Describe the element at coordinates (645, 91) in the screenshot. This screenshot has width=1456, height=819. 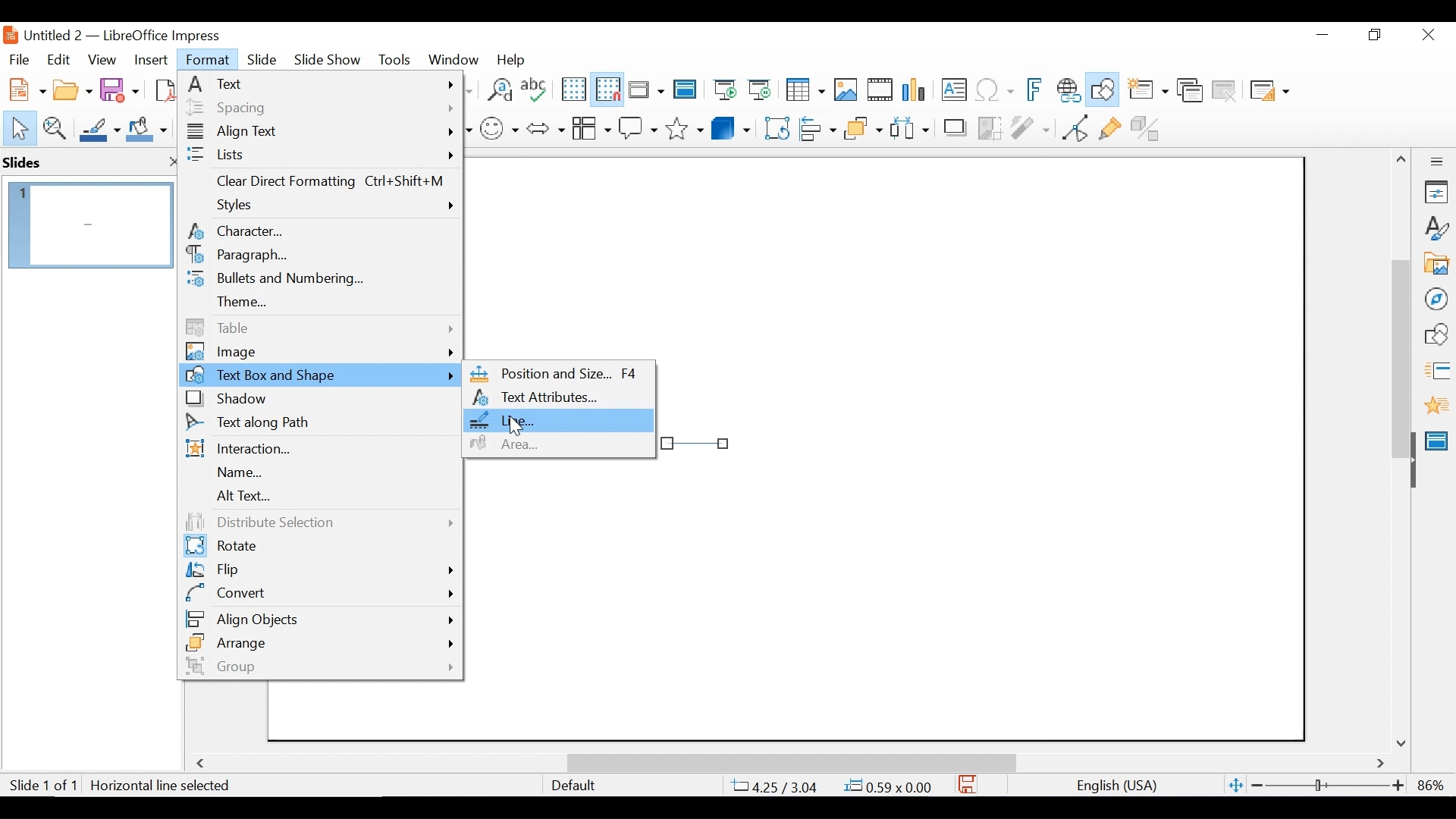
I see `Display Views` at that location.